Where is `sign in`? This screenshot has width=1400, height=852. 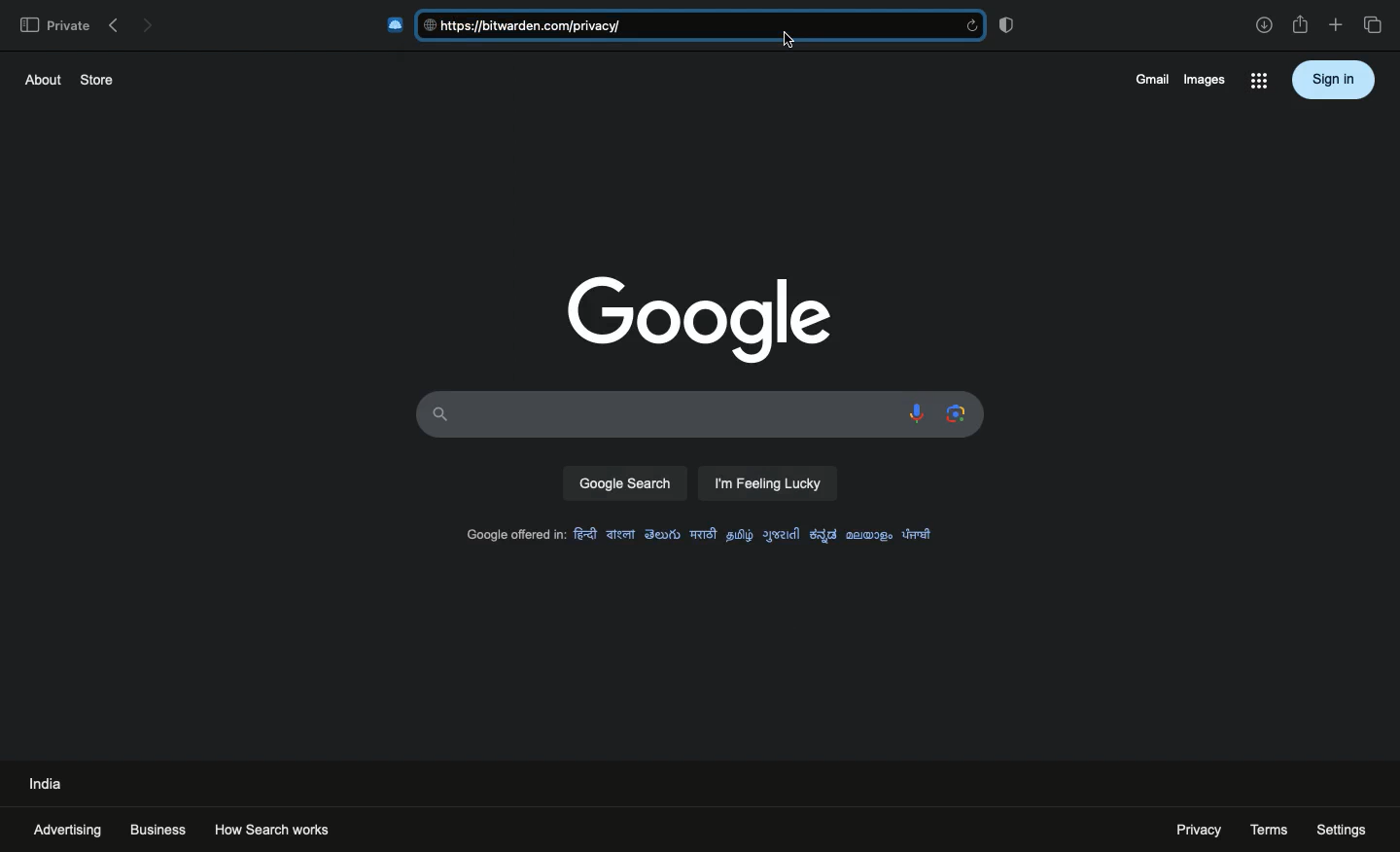
sign in is located at coordinates (1334, 79).